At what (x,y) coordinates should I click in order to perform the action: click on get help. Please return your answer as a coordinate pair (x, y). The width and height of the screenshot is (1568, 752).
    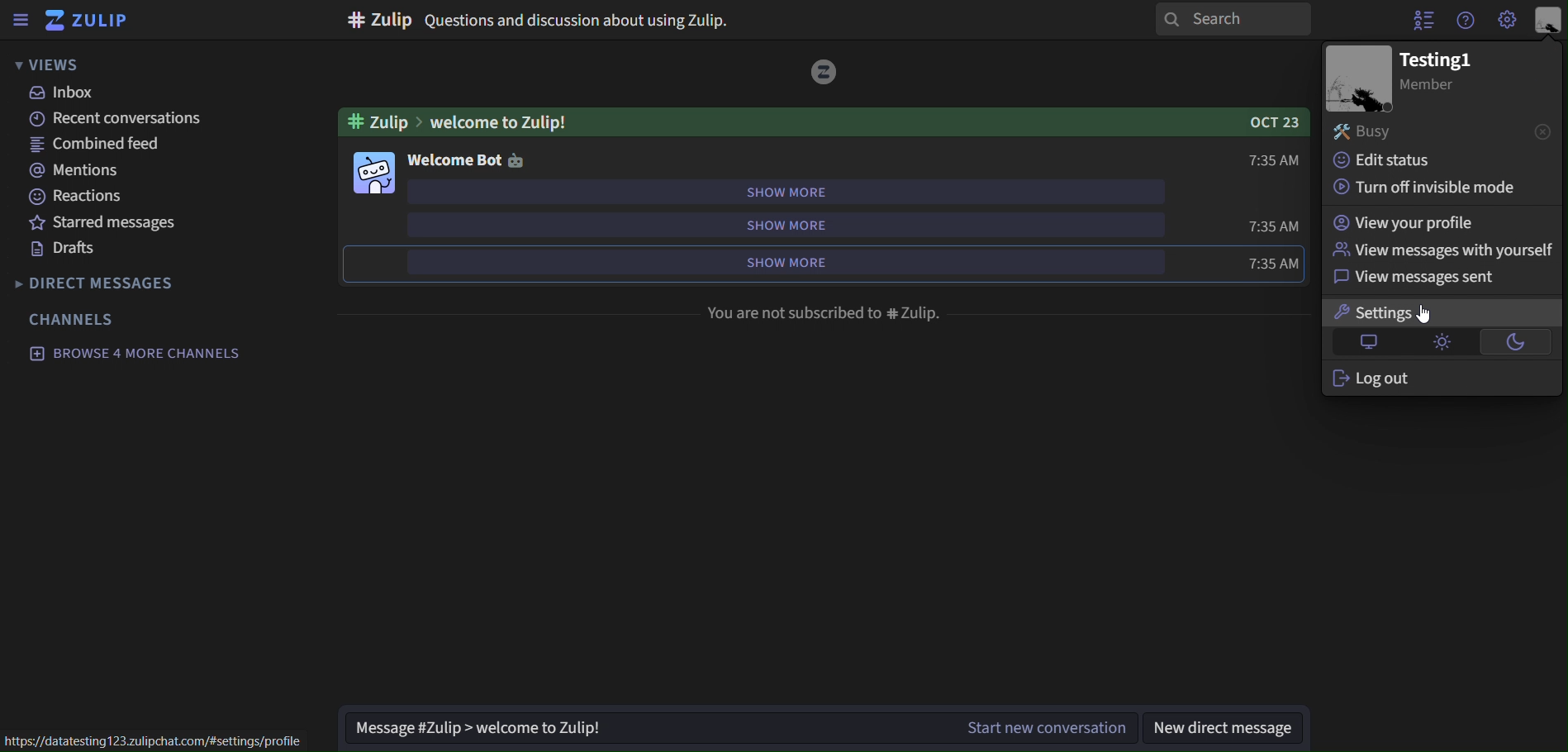
    Looking at the image, I should click on (1469, 20).